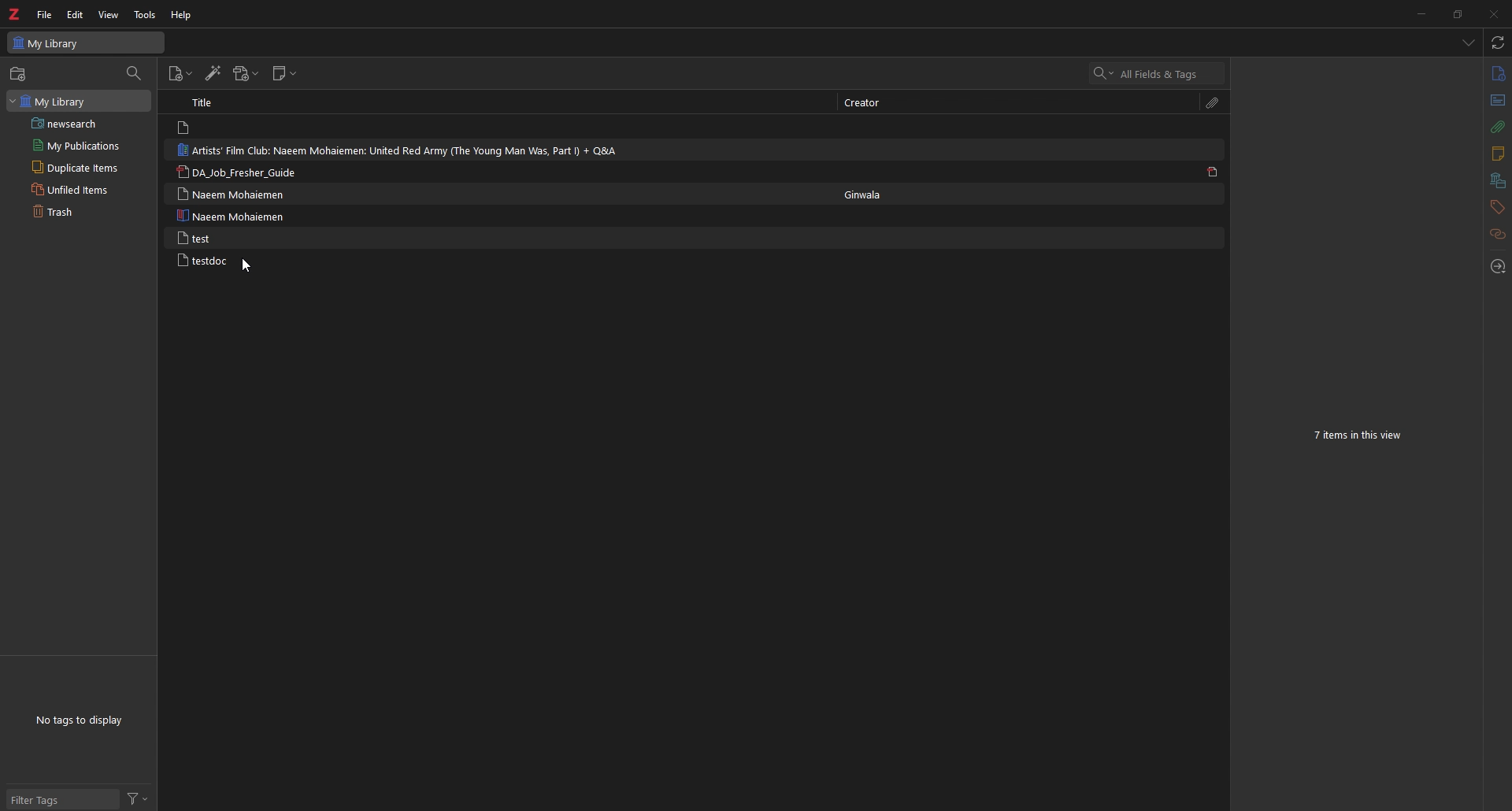  What do you see at coordinates (230, 237) in the screenshot?
I see `test` at bounding box center [230, 237].